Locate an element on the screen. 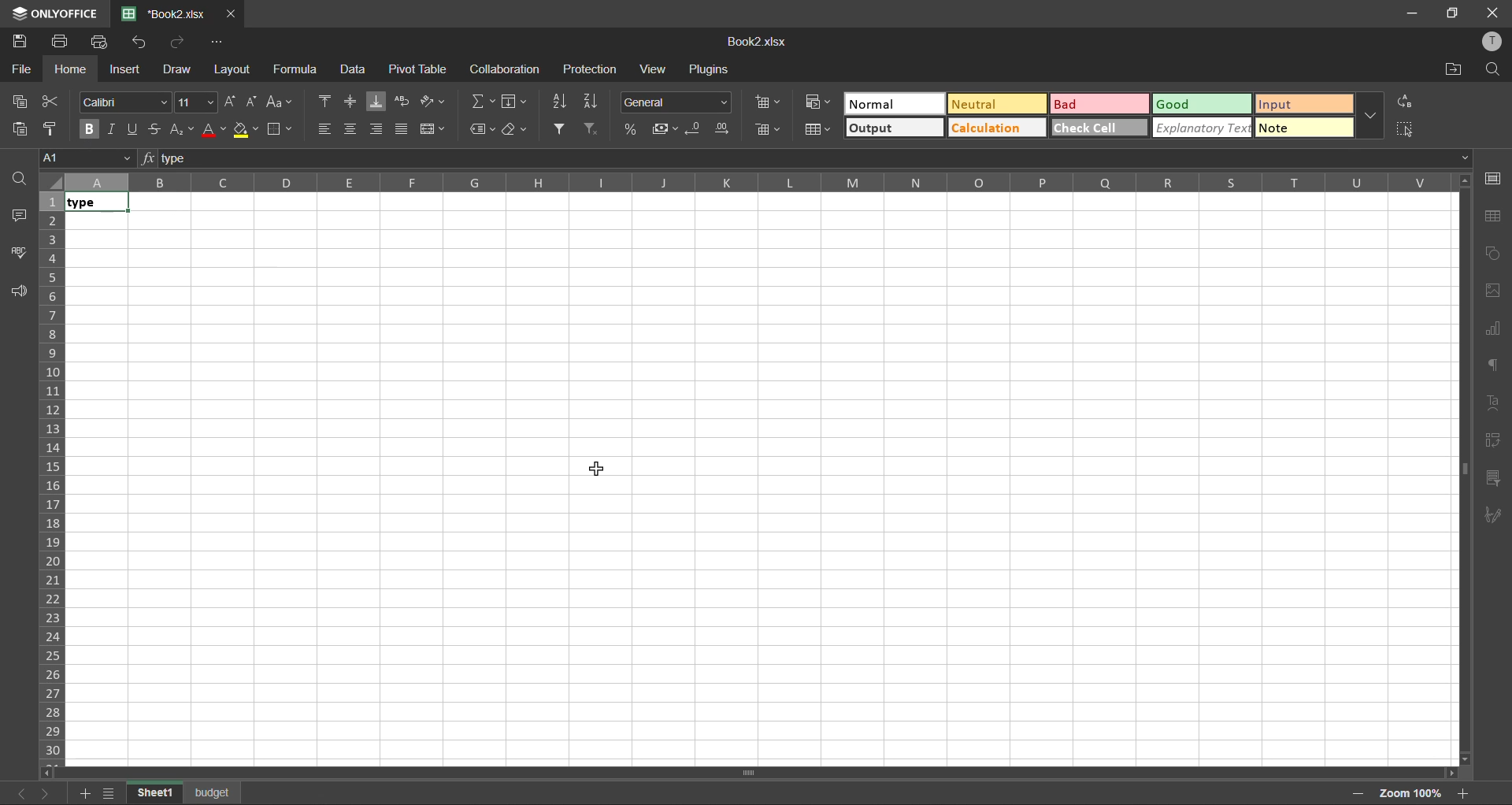  close is located at coordinates (1492, 12).